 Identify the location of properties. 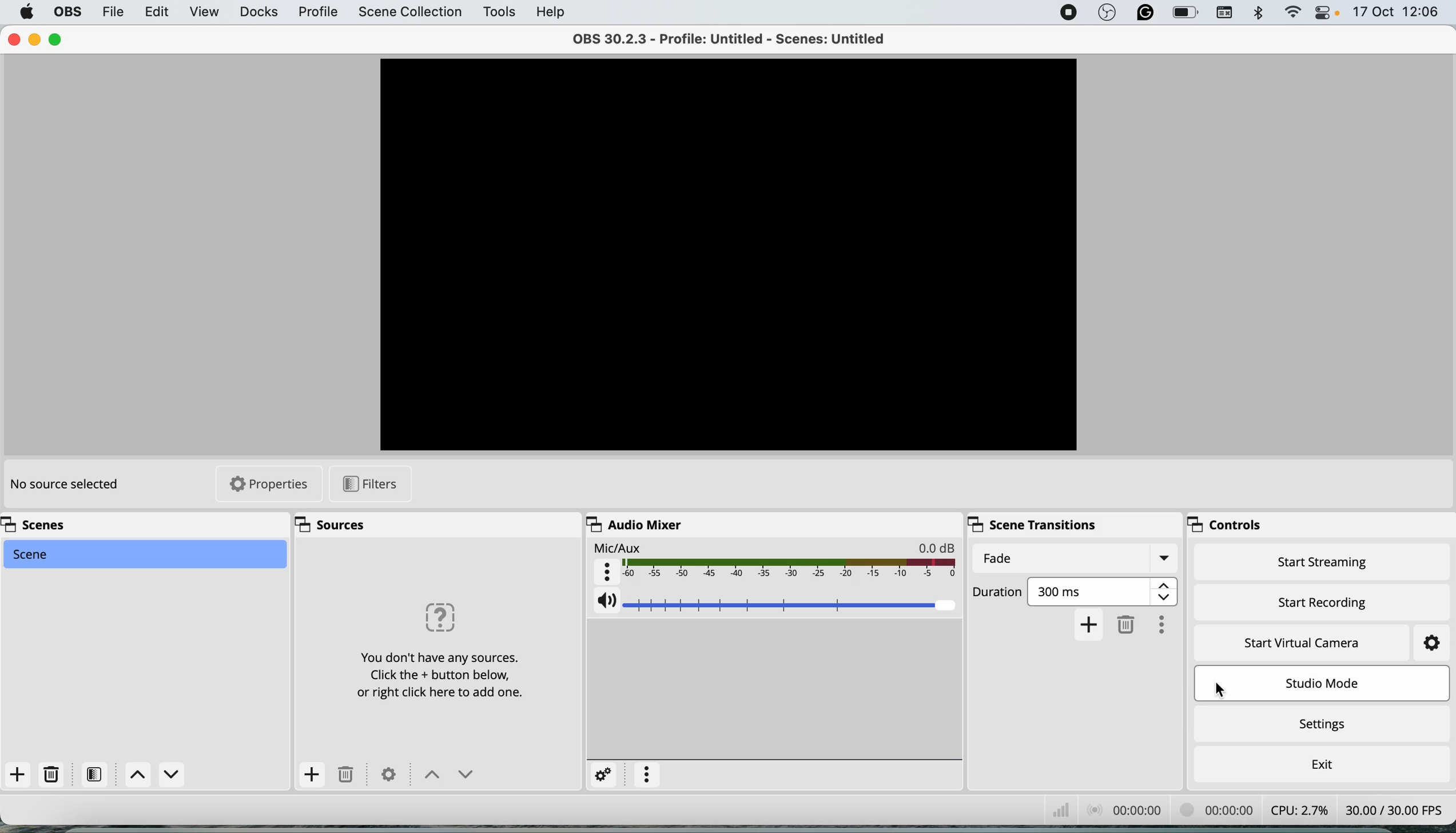
(267, 485).